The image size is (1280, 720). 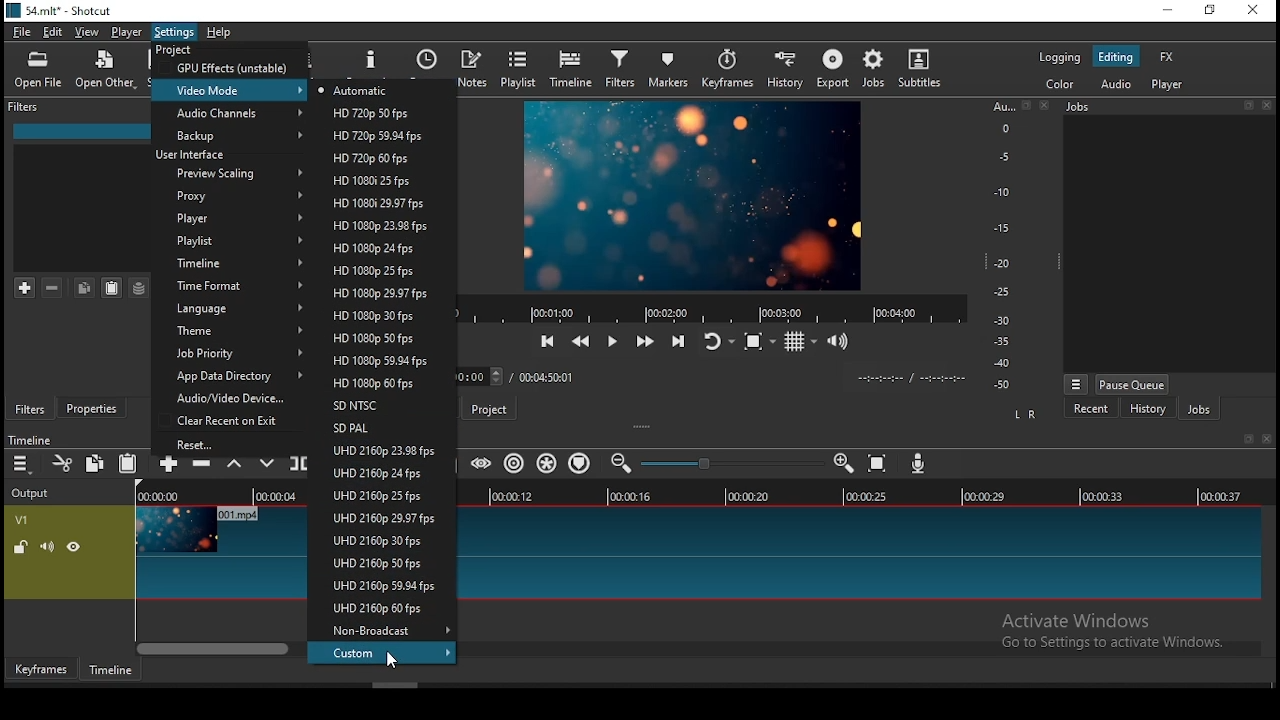 What do you see at coordinates (998, 127) in the screenshot?
I see `o` at bounding box center [998, 127].